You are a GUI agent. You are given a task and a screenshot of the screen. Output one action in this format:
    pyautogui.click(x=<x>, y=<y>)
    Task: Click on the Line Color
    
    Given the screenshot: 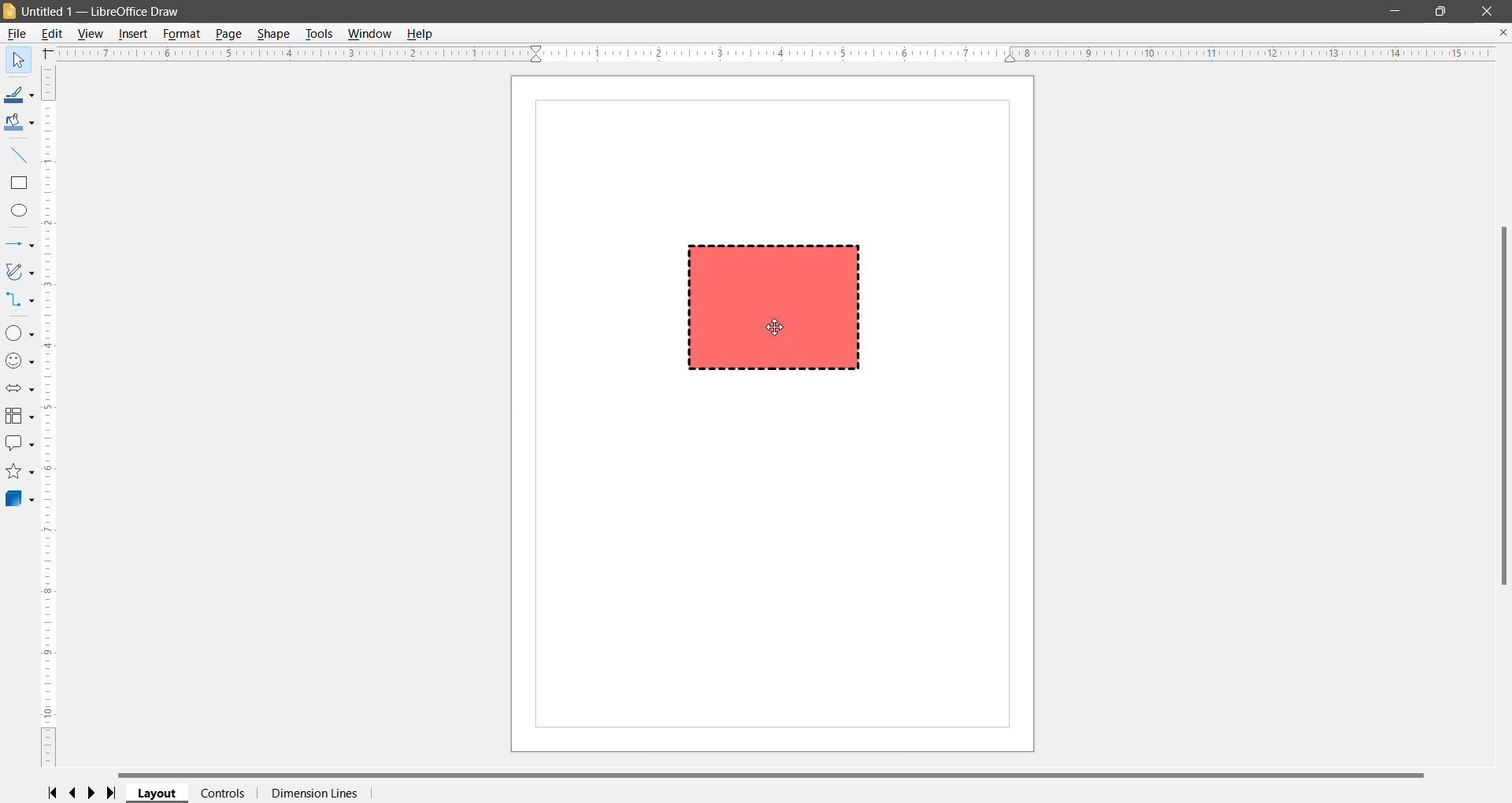 What is the action you would take?
    pyautogui.click(x=20, y=95)
    